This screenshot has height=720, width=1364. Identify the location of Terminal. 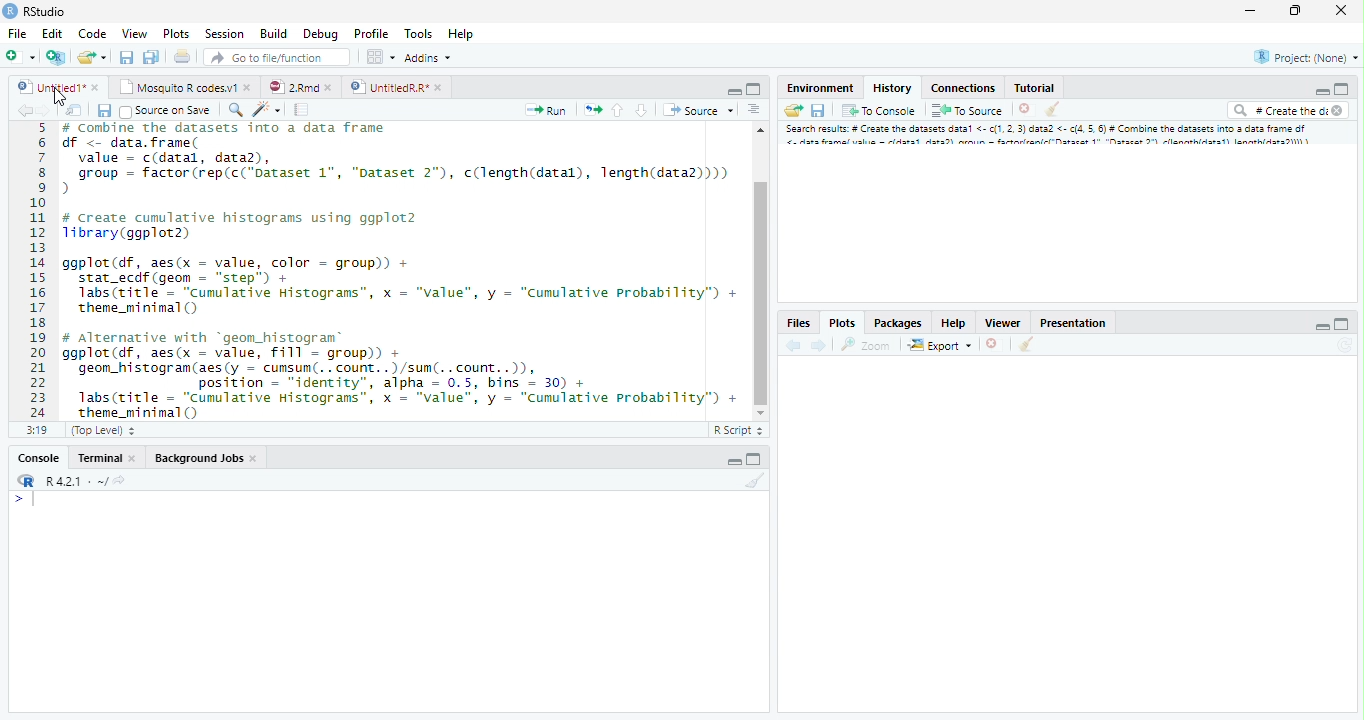
(107, 457).